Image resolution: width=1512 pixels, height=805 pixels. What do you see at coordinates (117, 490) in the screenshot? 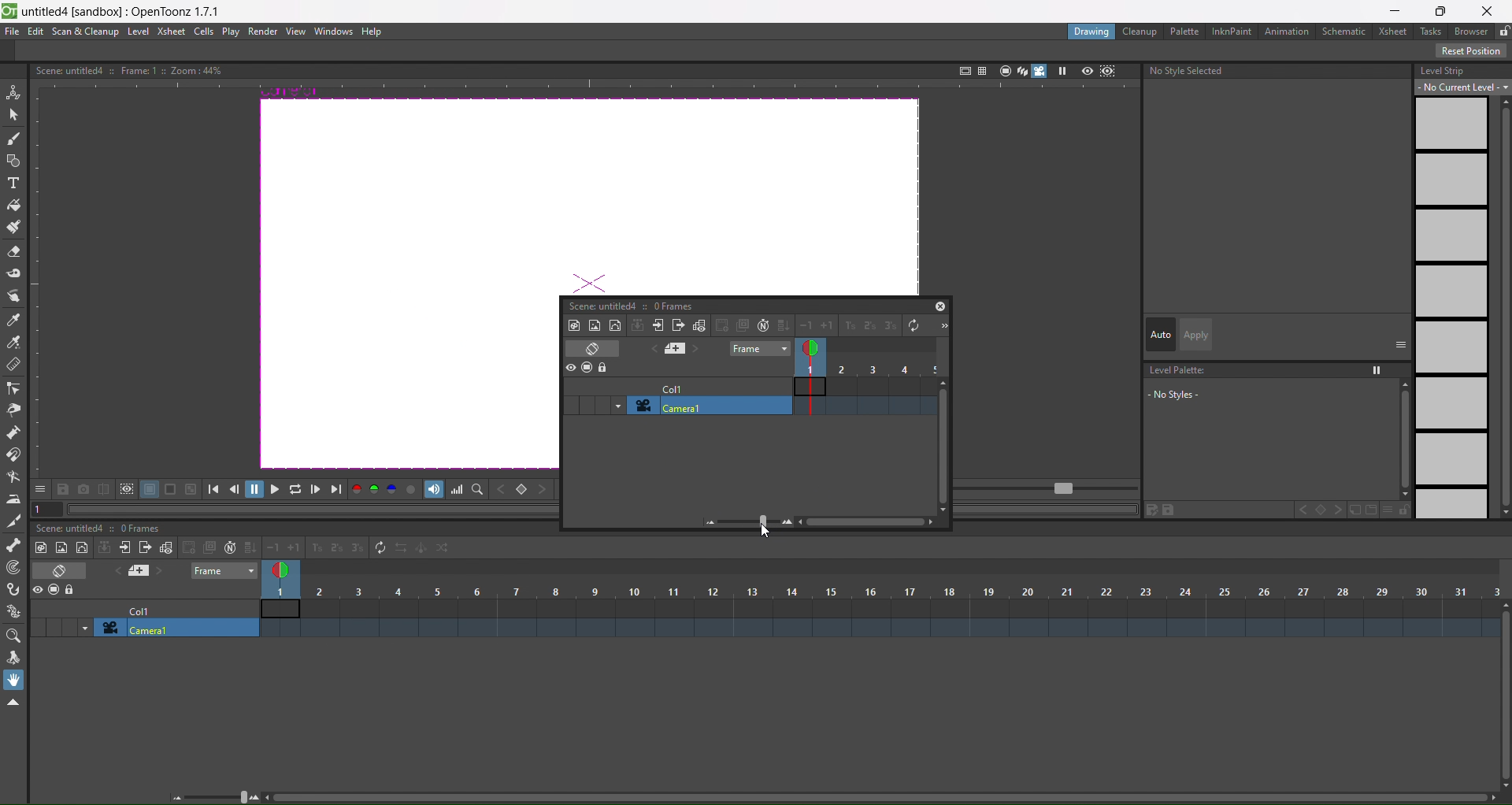
I see `icon` at bounding box center [117, 490].